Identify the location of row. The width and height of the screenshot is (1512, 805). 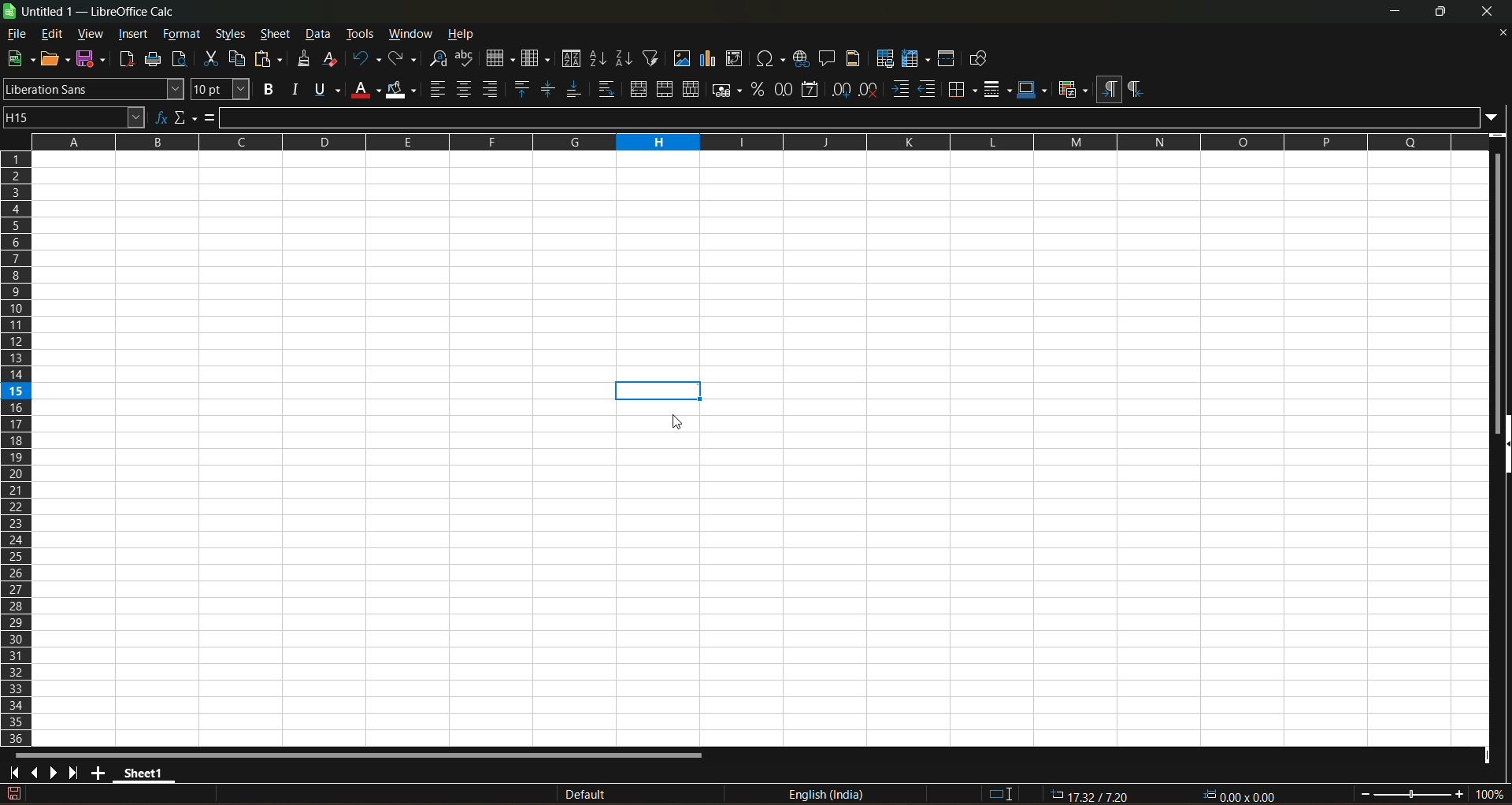
(501, 57).